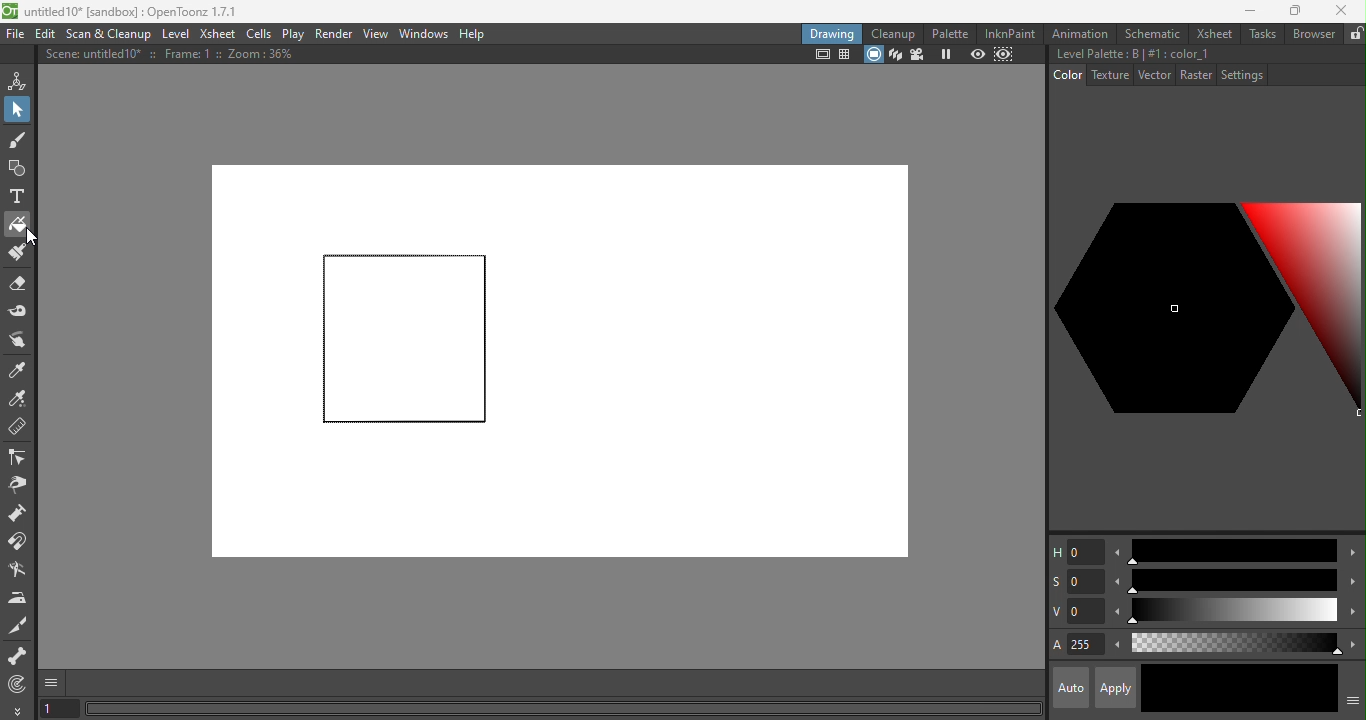 This screenshot has width=1366, height=720. Describe the element at coordinates (20, 456) in the screenshot. I see `Control point edit tool` at that location.